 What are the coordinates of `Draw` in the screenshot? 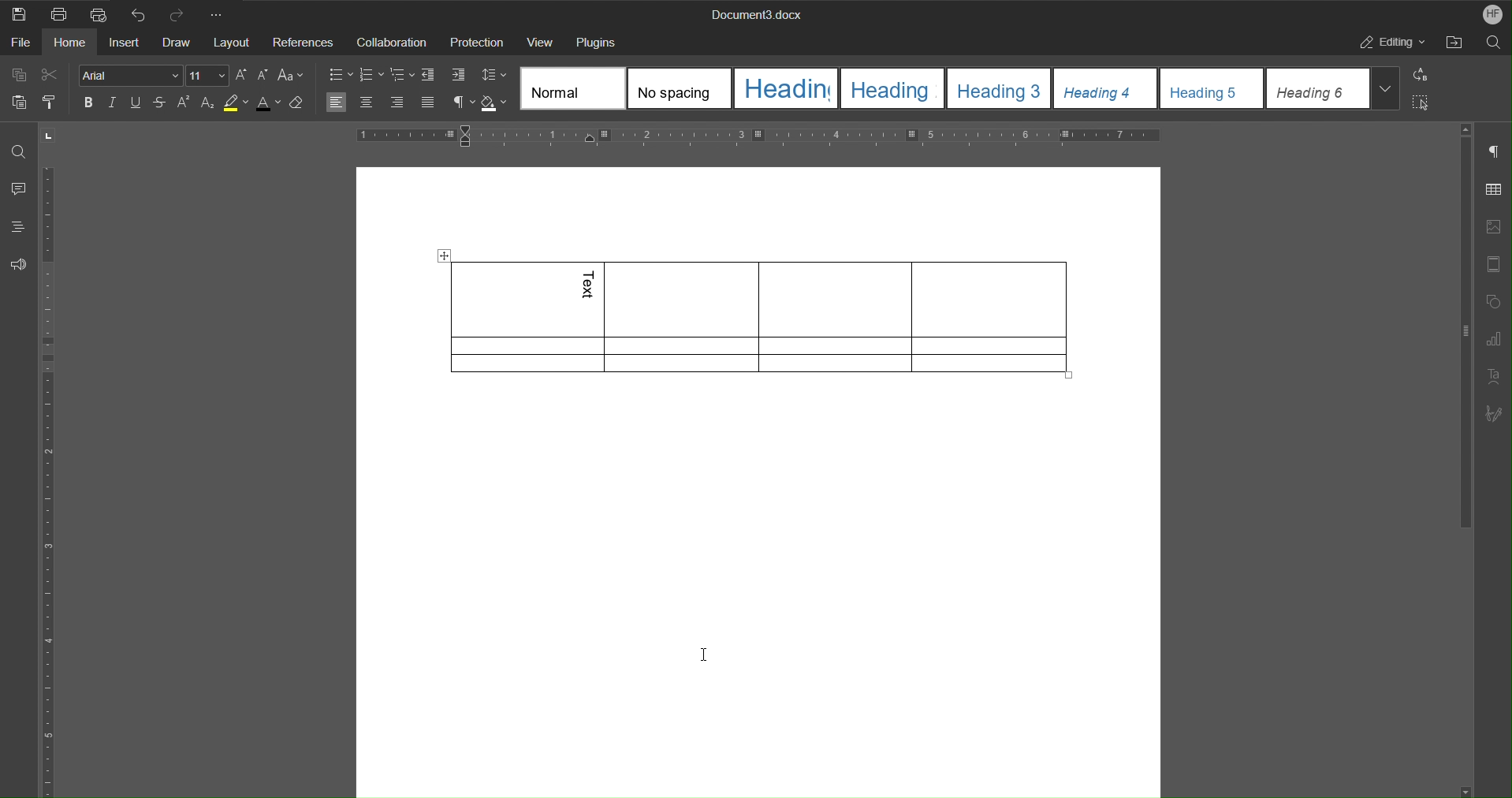 It's located at (177, 42).